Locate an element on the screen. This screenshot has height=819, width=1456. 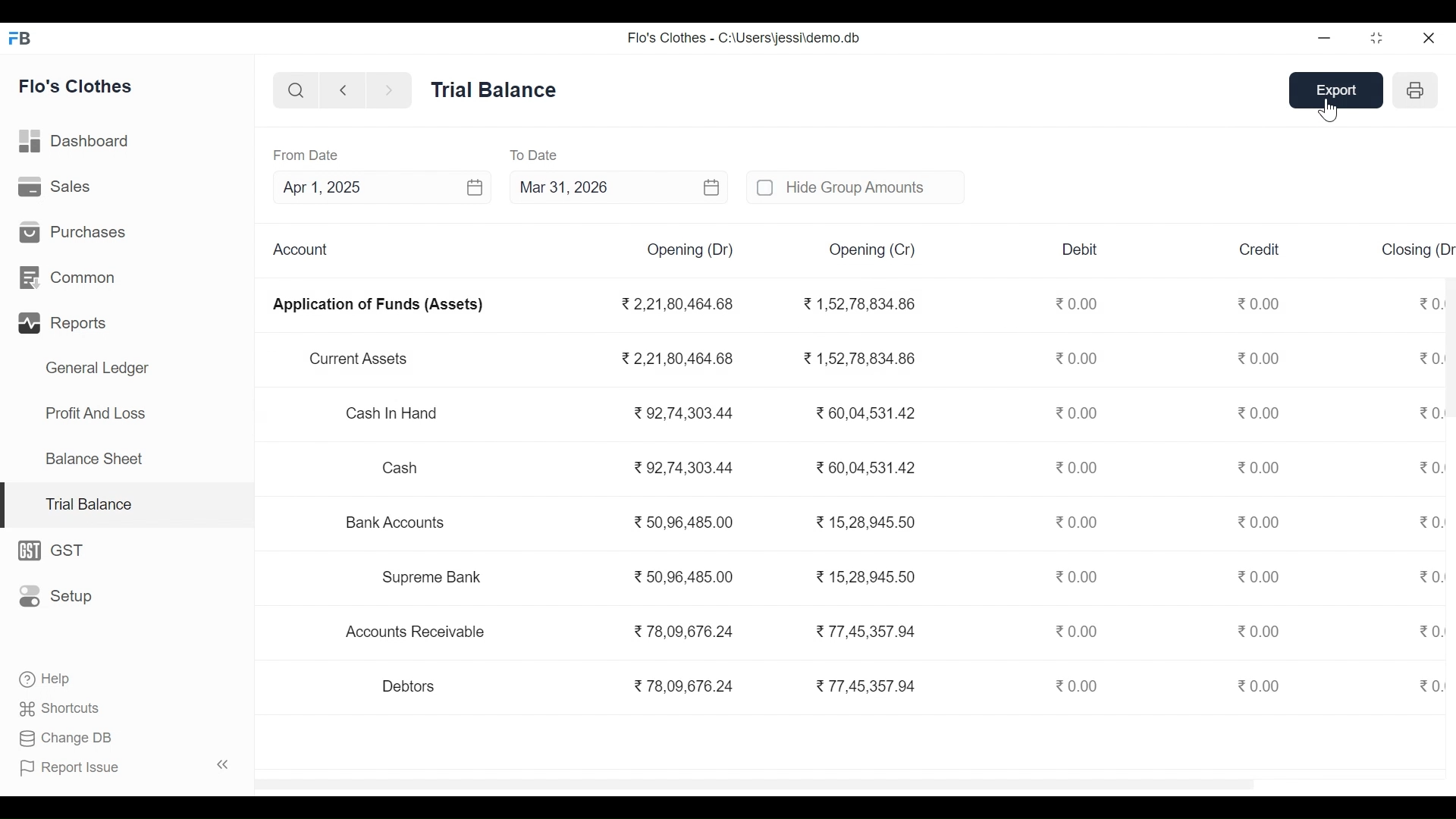
Bank Accounts is located at coordinates (397, 522).